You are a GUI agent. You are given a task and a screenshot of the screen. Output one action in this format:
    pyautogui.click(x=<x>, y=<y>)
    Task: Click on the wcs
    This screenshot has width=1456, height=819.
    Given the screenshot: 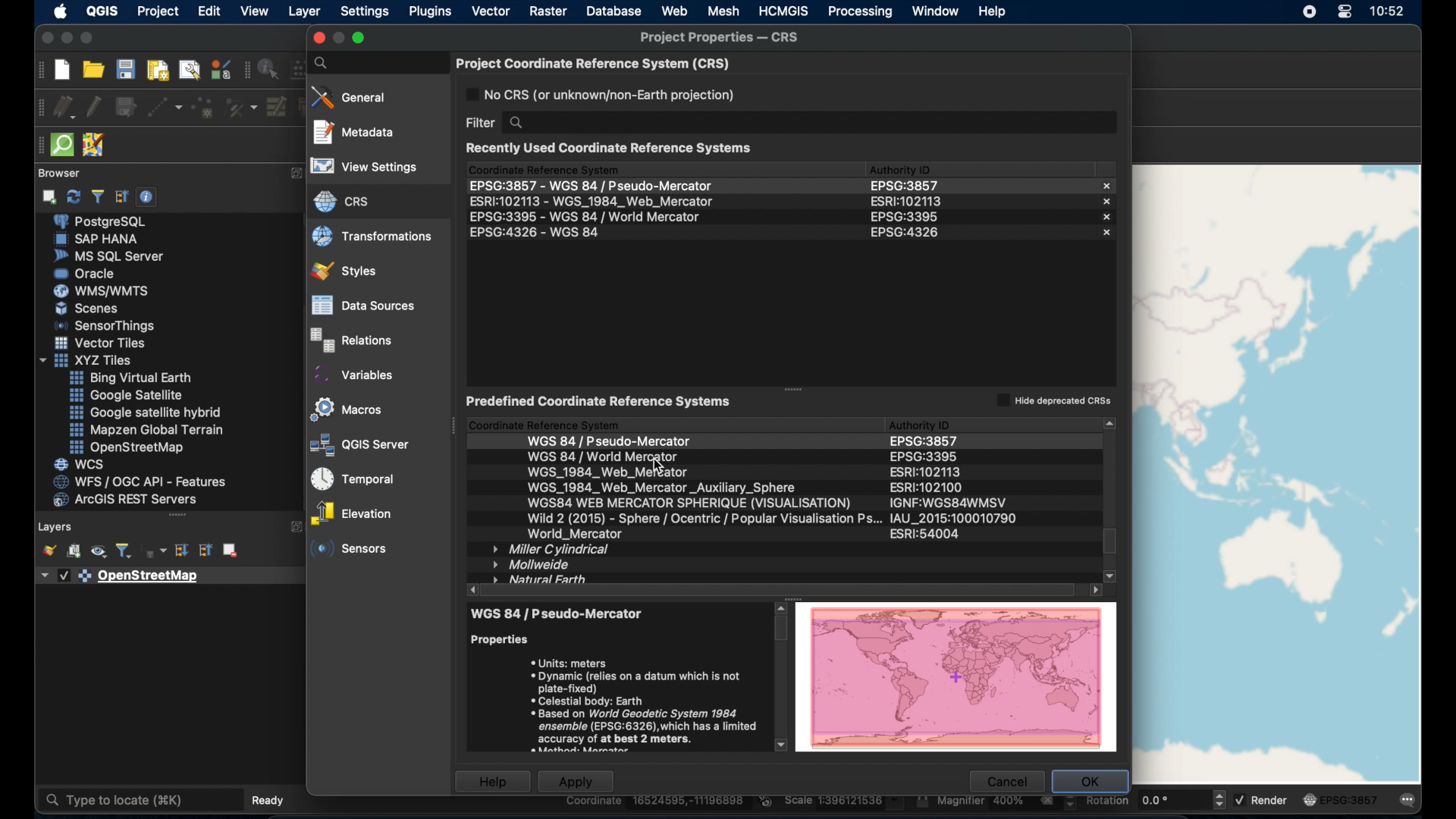 What is the action you would take?
    pyautogui.click(x=81, y=463)
    